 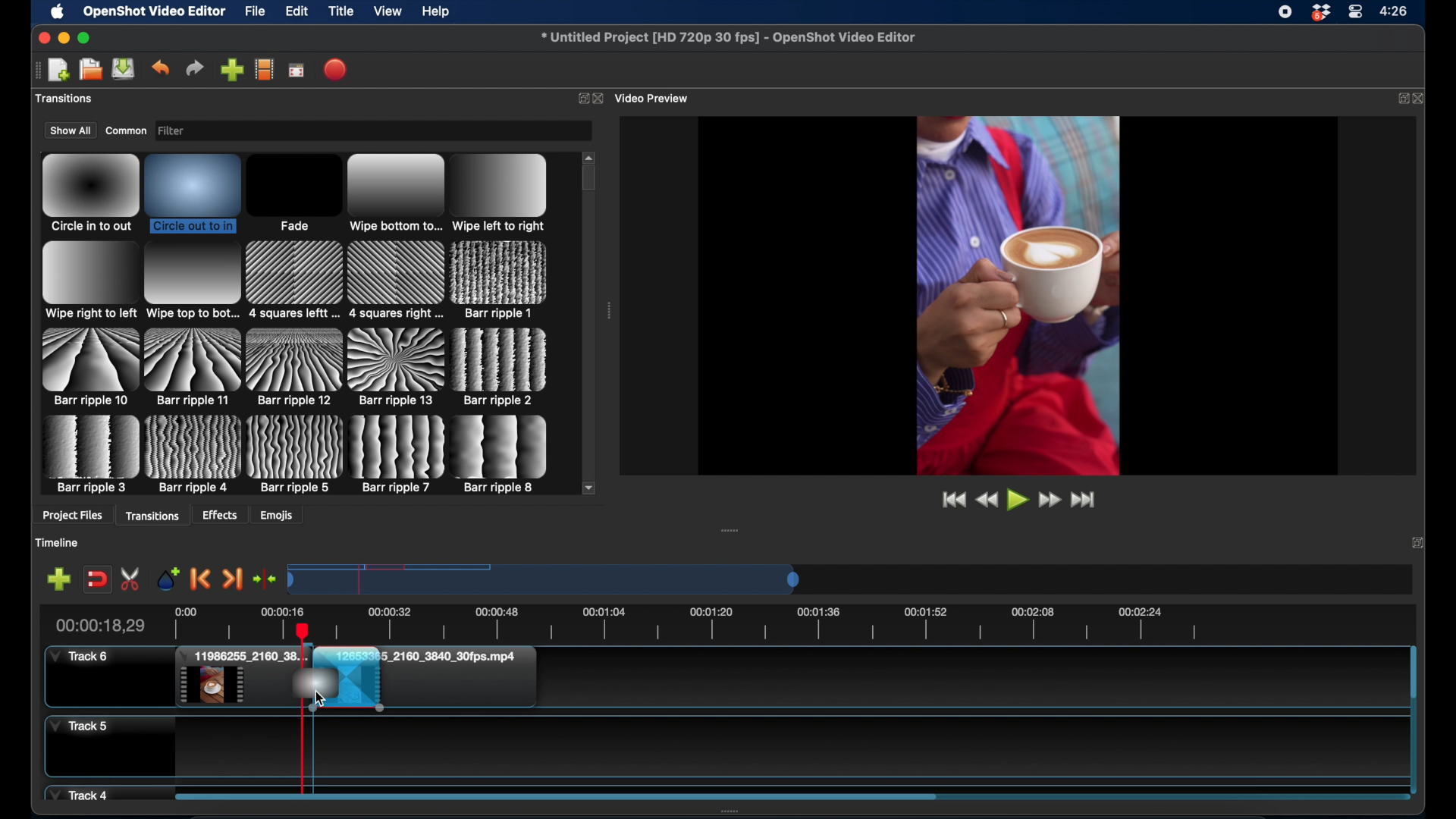 I want to click on scroll up arrow, so click(x=590, y=155).